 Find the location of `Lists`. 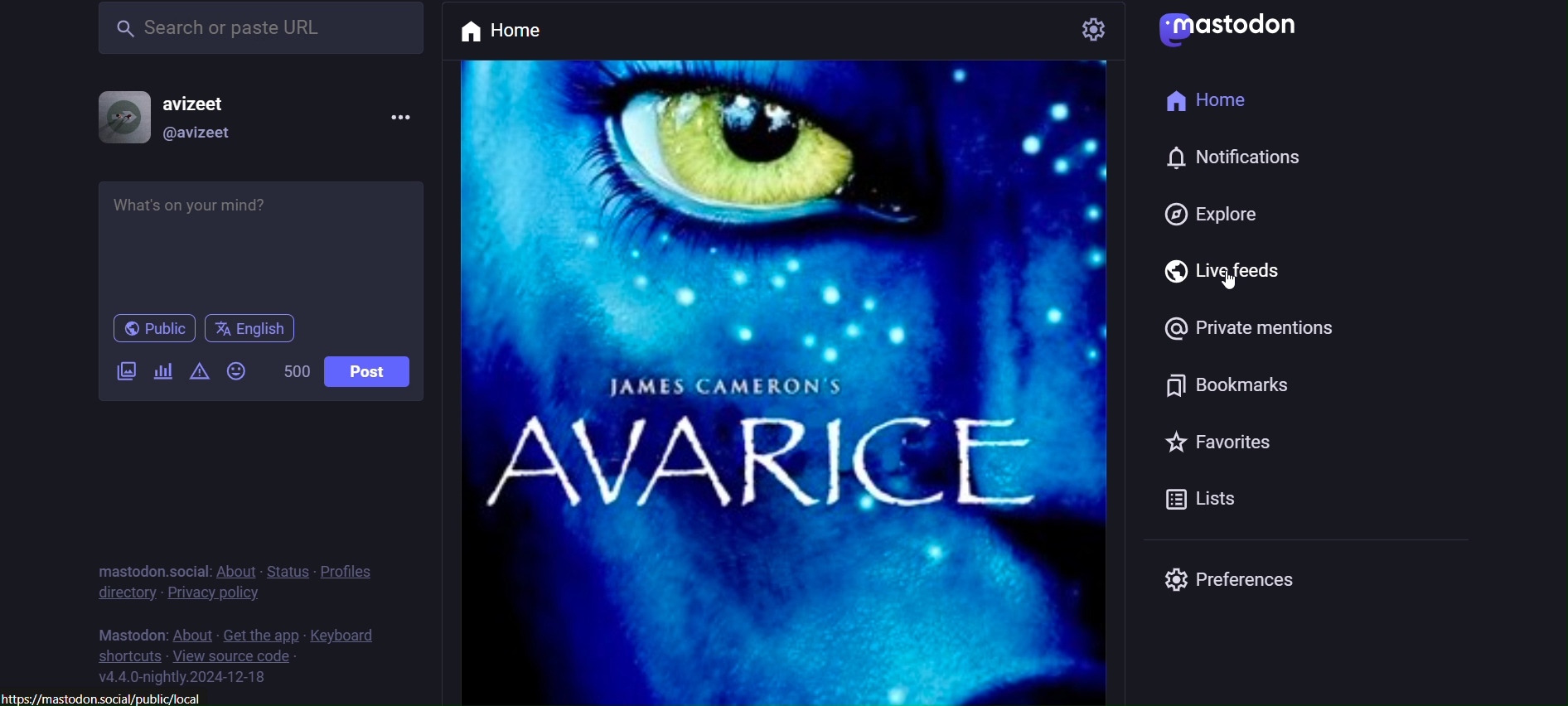

Lists is located at coordinates (1203, 498).